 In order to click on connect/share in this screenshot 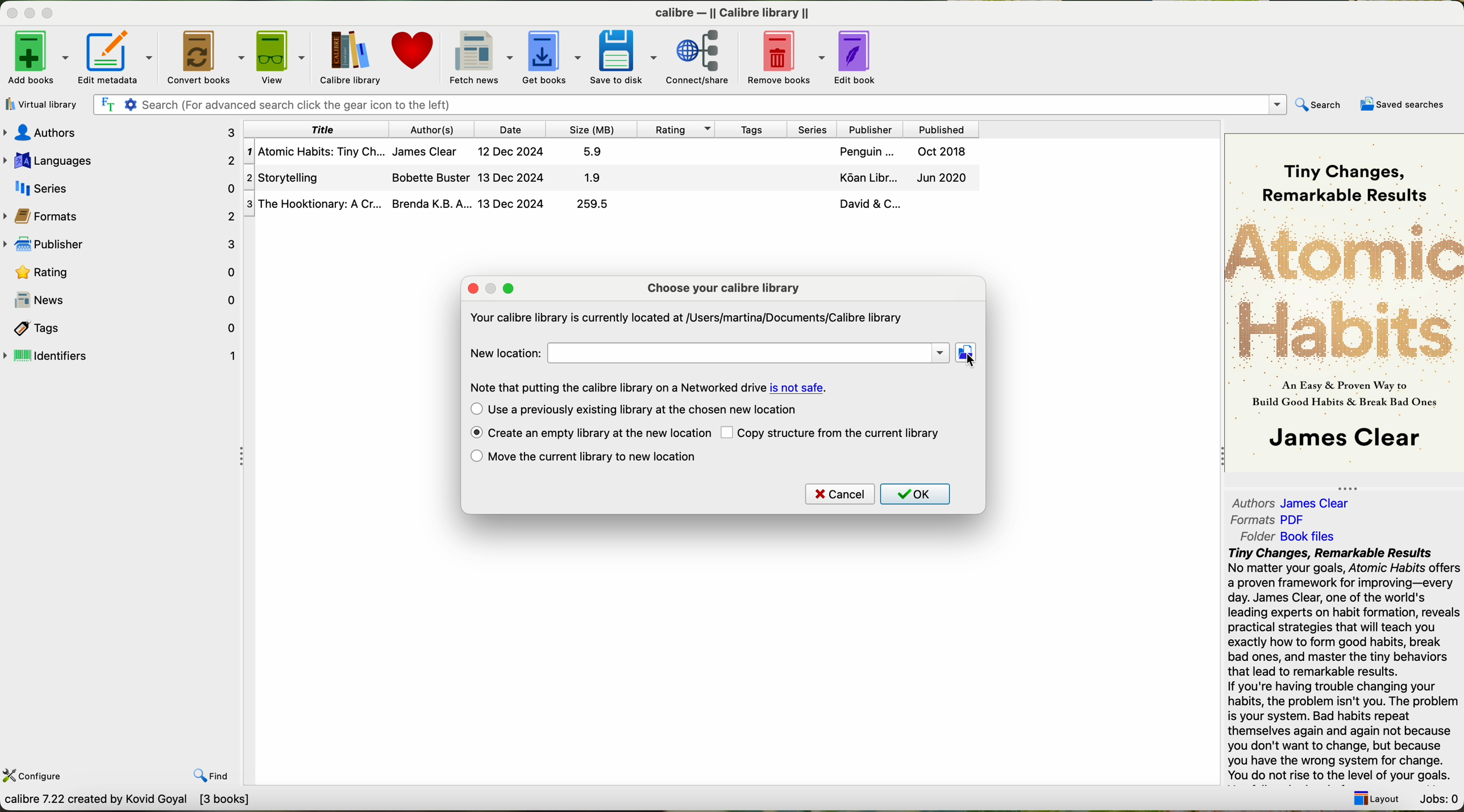, I will do `click(705, 56)`.